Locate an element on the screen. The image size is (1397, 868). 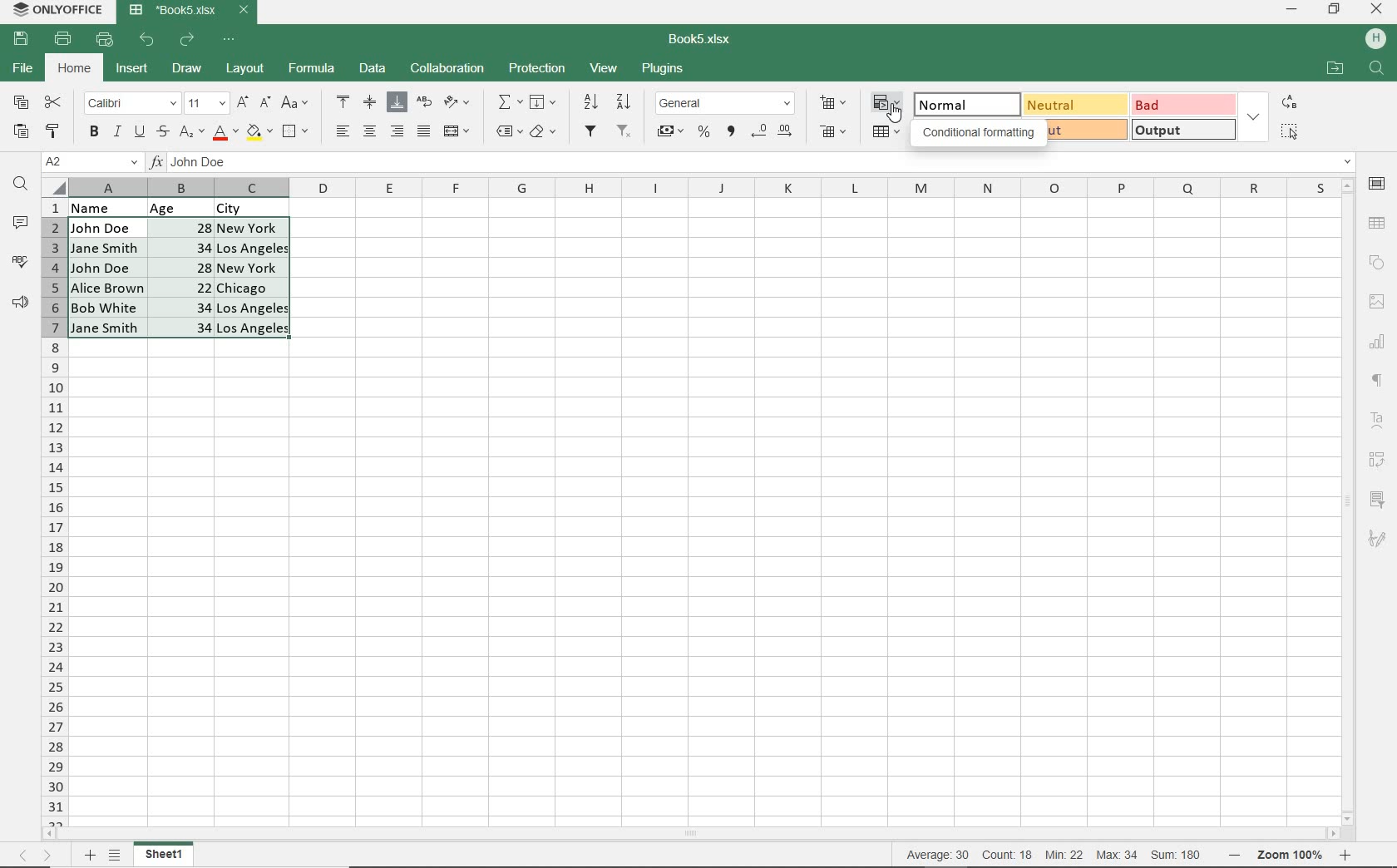
SLICER is located at coordinates (1379, 501).